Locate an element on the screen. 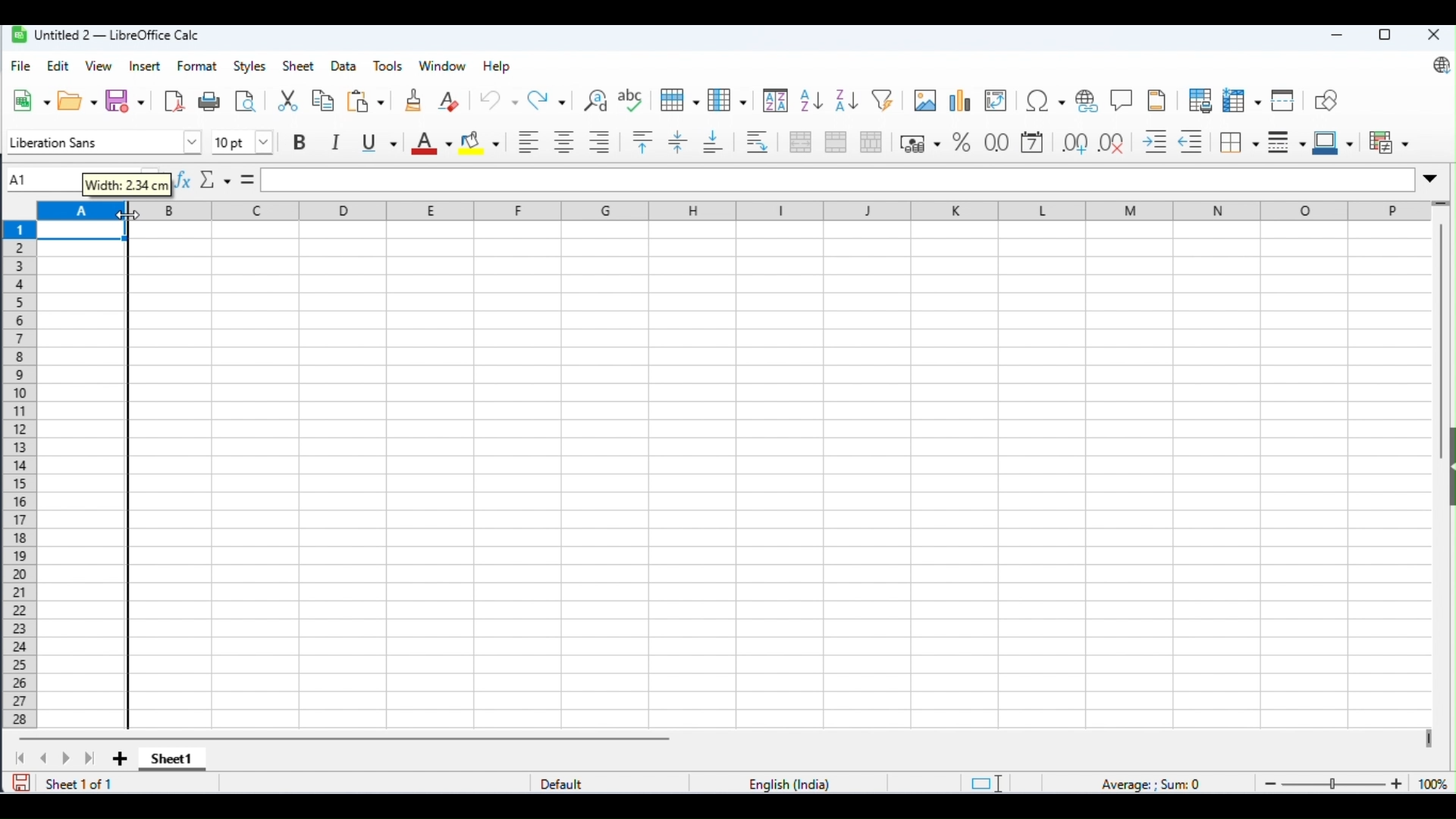 This screenshot has width=1456, height=819. new is located at coordinates (32, 100).